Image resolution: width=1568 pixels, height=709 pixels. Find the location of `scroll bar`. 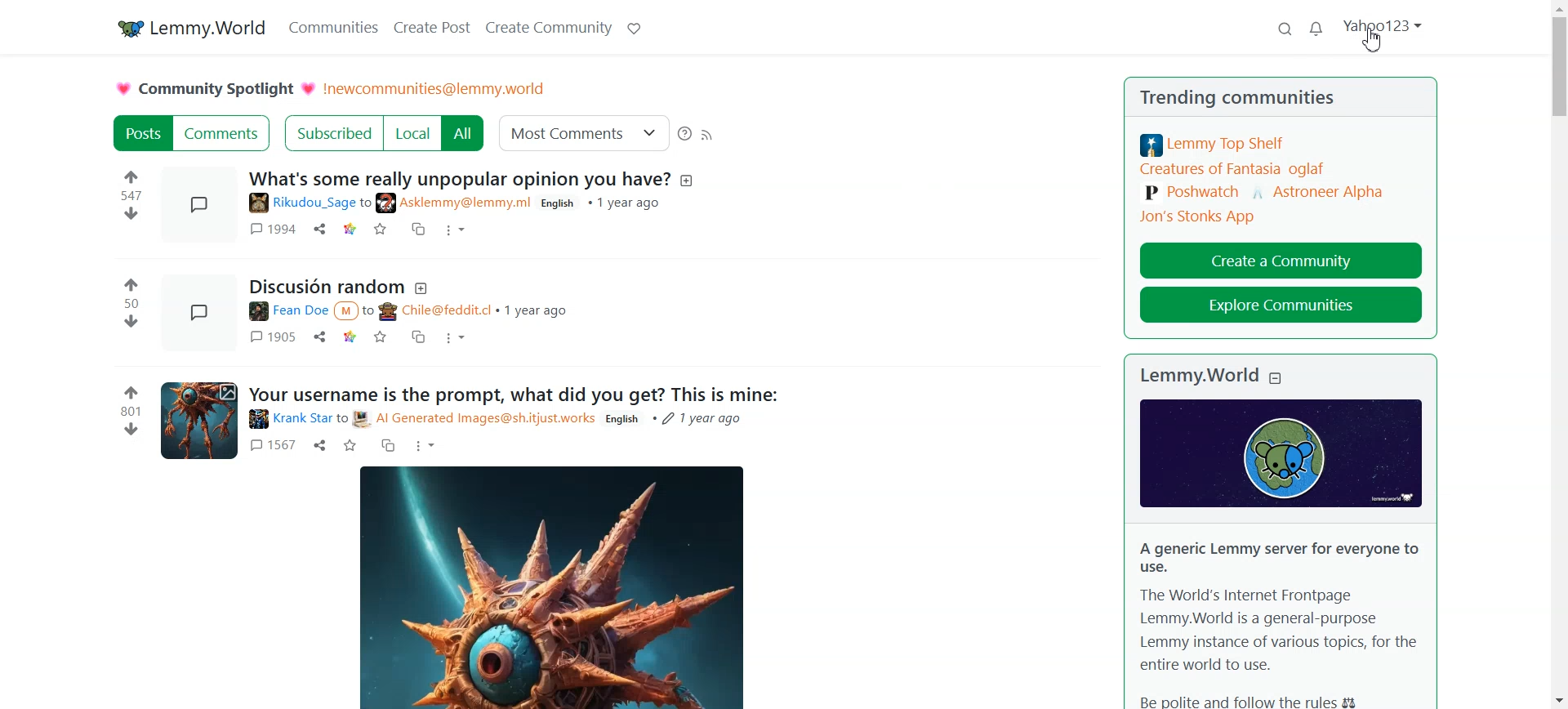

scroll bar is located at coordinates (1558, 354).